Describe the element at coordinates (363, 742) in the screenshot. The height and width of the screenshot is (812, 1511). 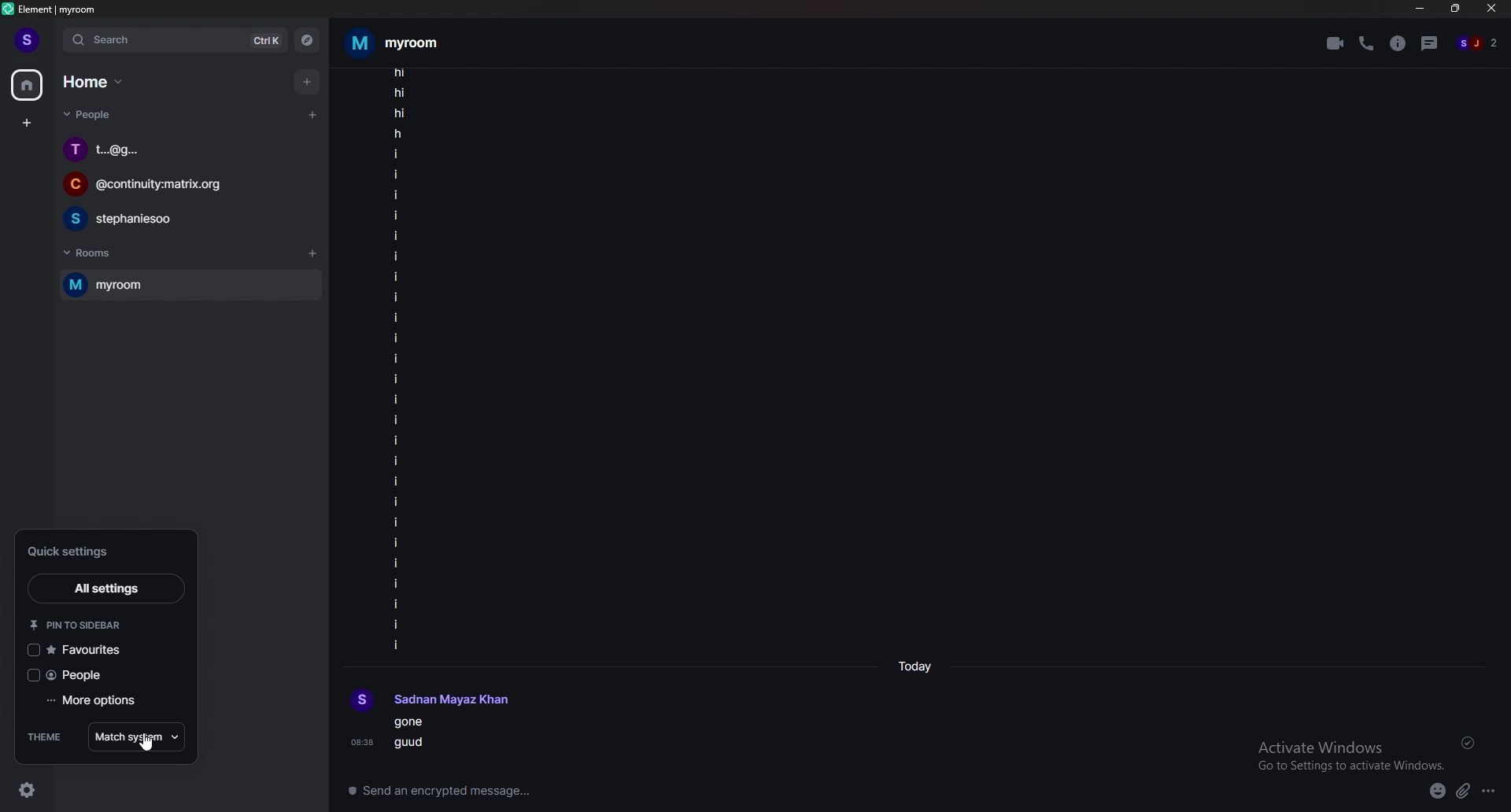
I see `08:38` at that location.